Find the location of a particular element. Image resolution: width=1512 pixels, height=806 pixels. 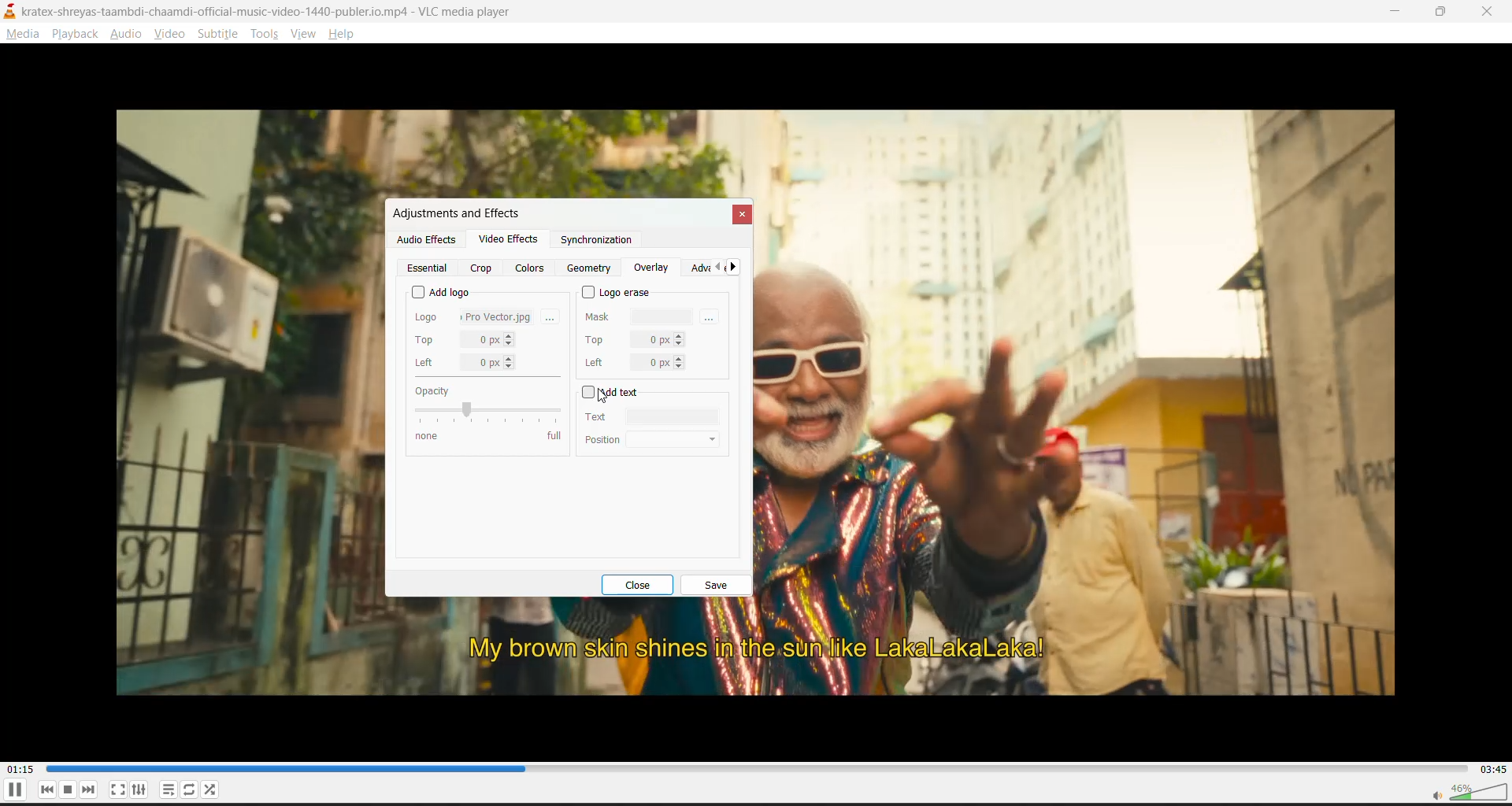

tools is located at coordinates (262, 35).